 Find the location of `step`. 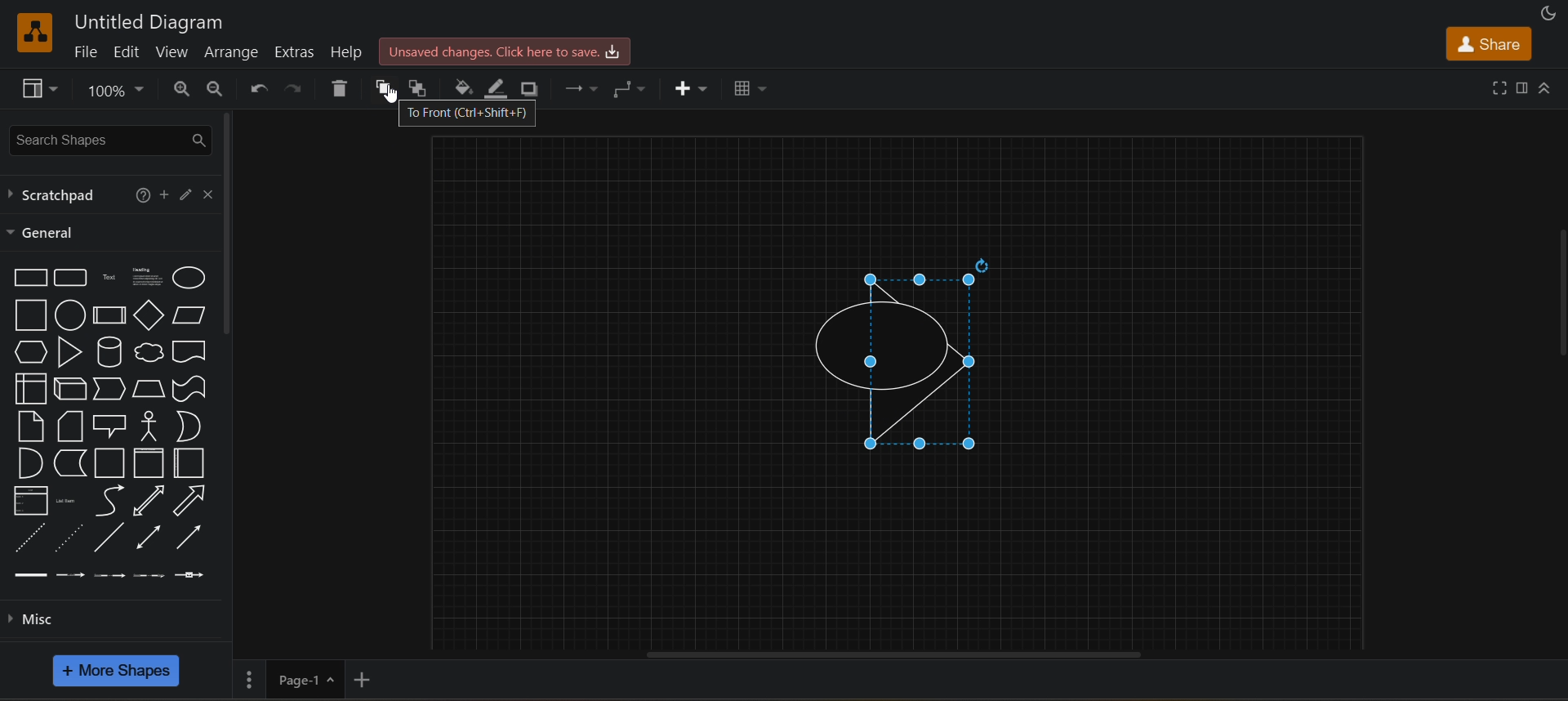

step is located at coordinates (110, 389).